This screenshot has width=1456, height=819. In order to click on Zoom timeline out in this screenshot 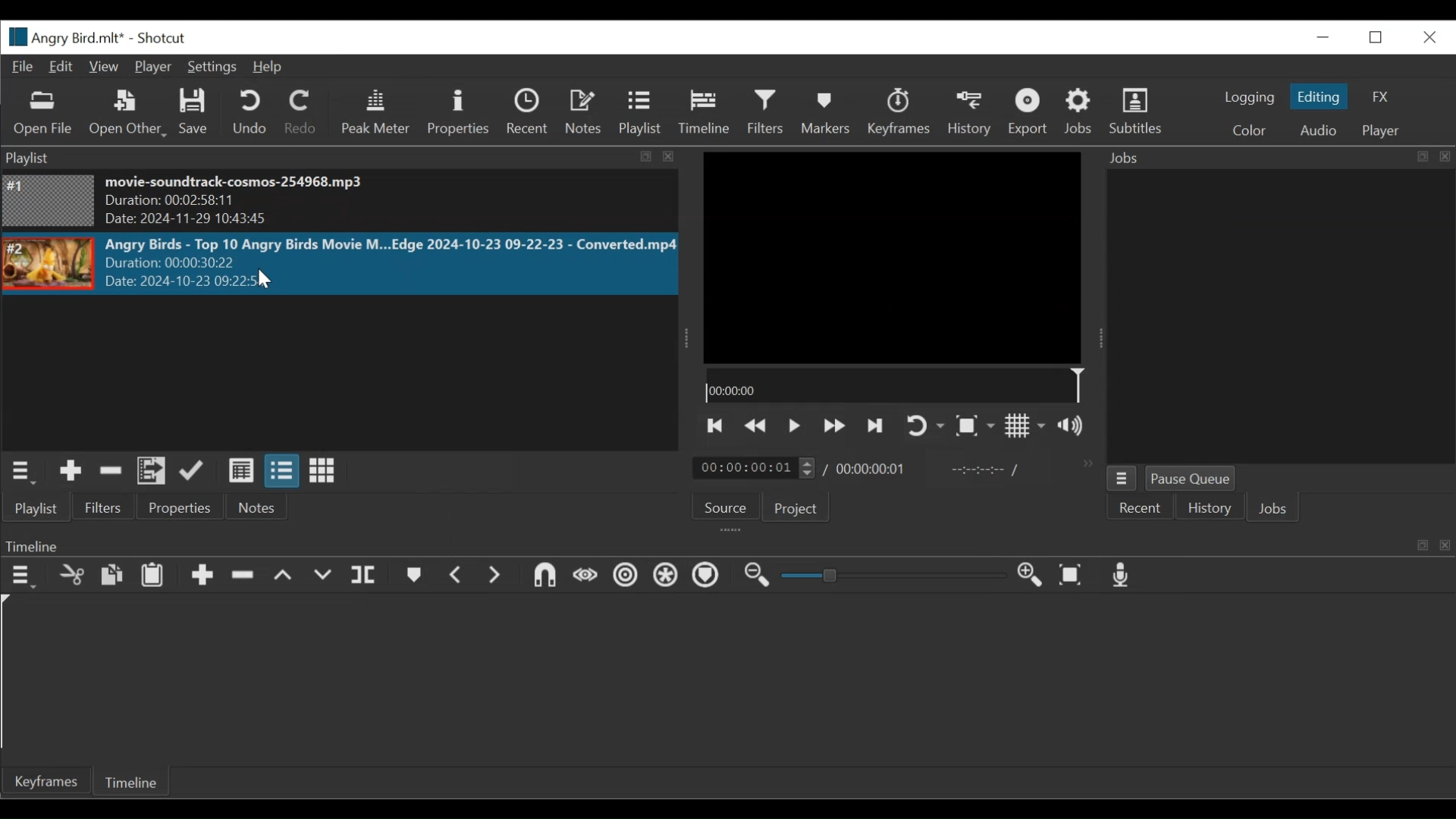, I will do `click(761, 576)`.